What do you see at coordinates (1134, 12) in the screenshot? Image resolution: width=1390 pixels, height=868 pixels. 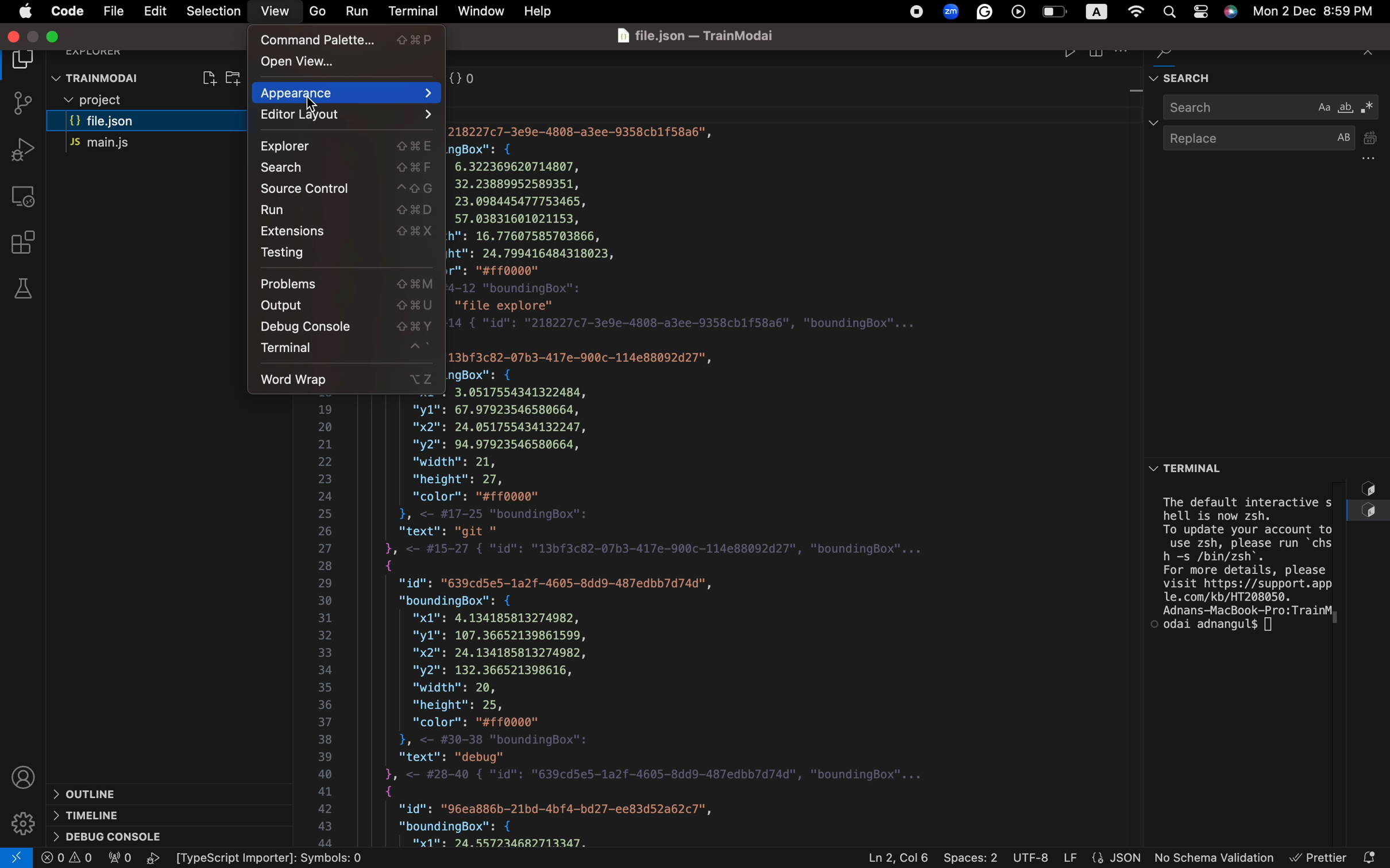 I see `global settings` at bounding box center [1134, 12].